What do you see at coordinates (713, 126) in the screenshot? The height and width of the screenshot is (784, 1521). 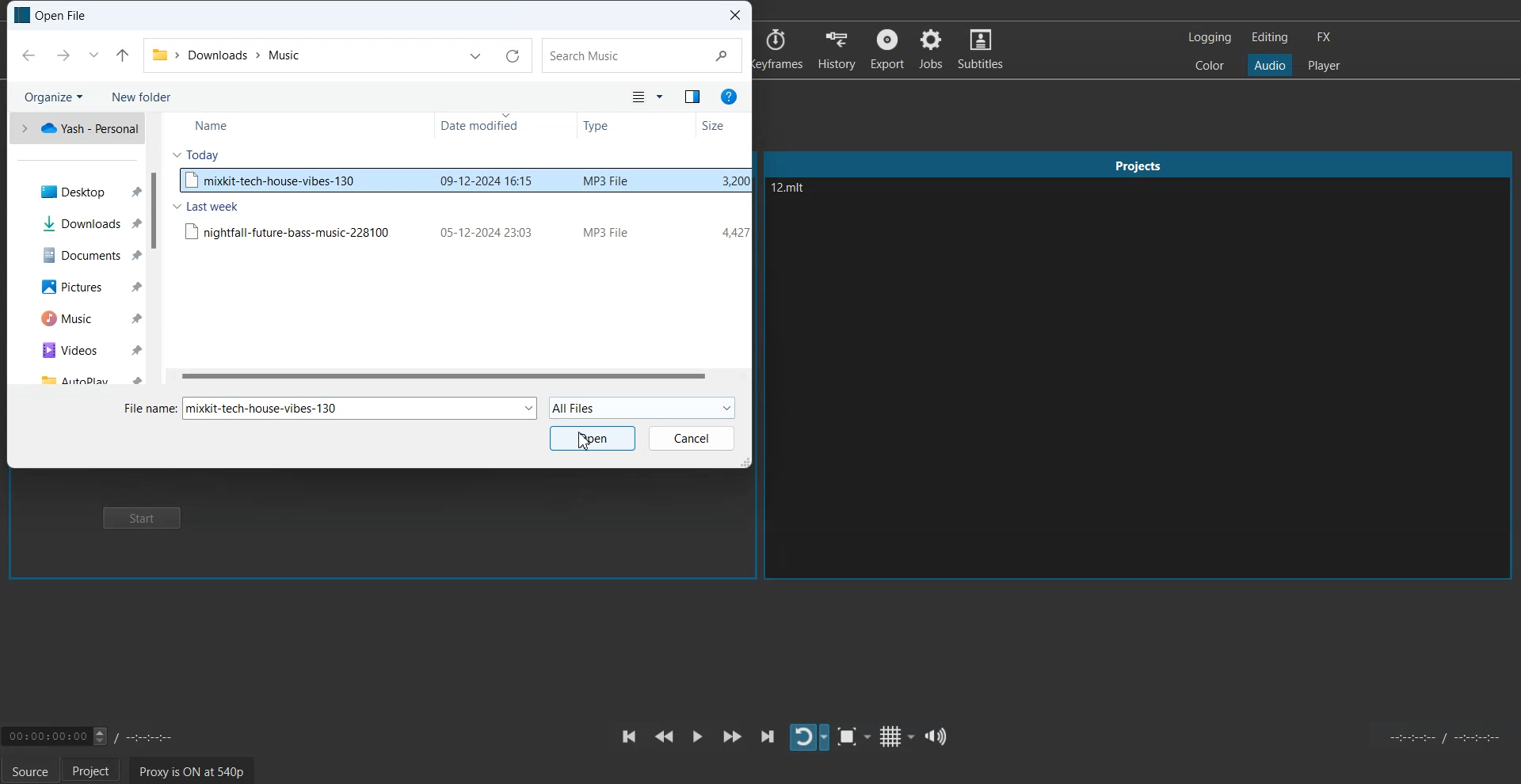 I see `Size` at bounding box center [713, 126].